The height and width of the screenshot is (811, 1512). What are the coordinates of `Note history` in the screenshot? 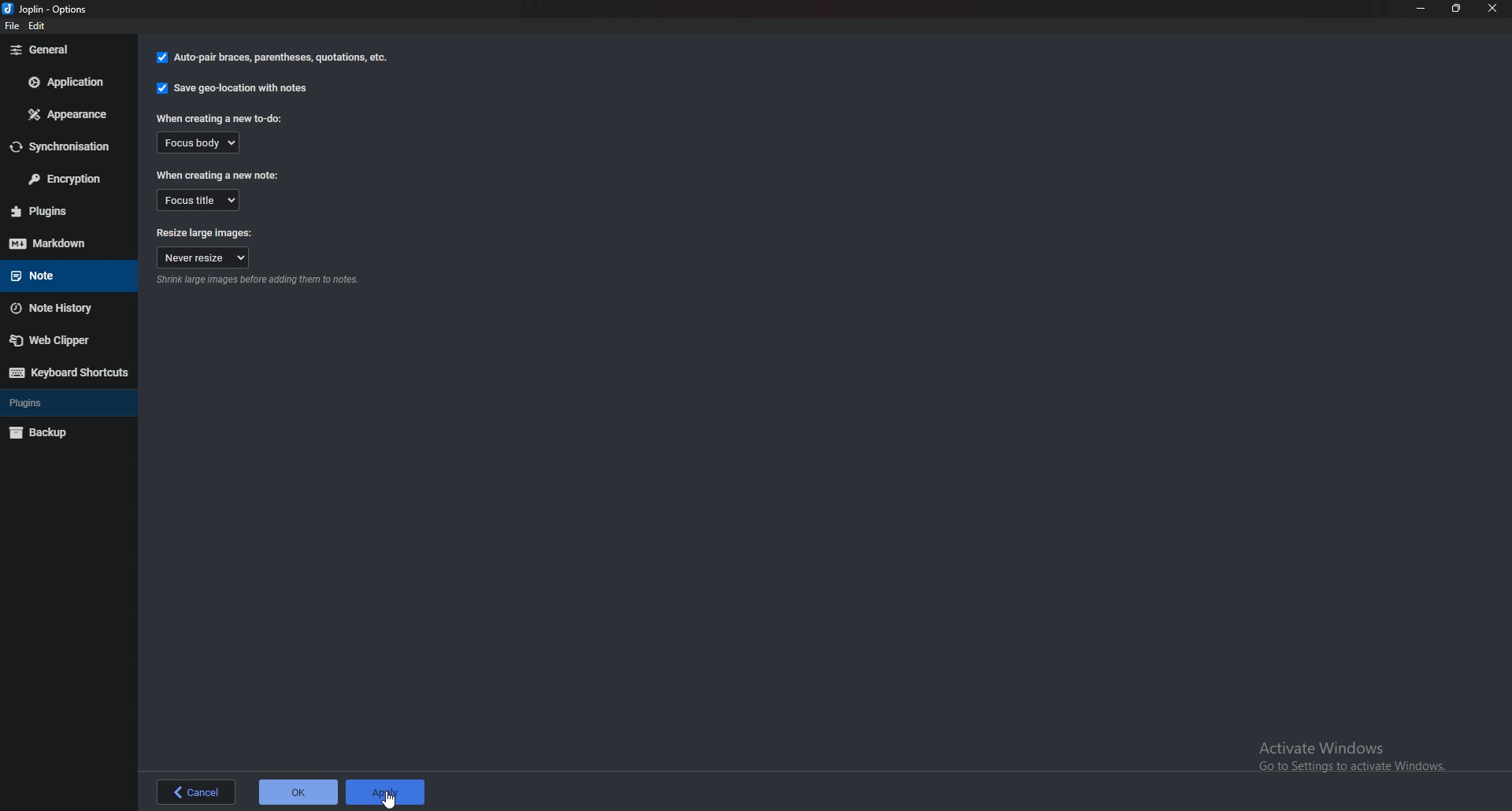 It's located at (62, 309).